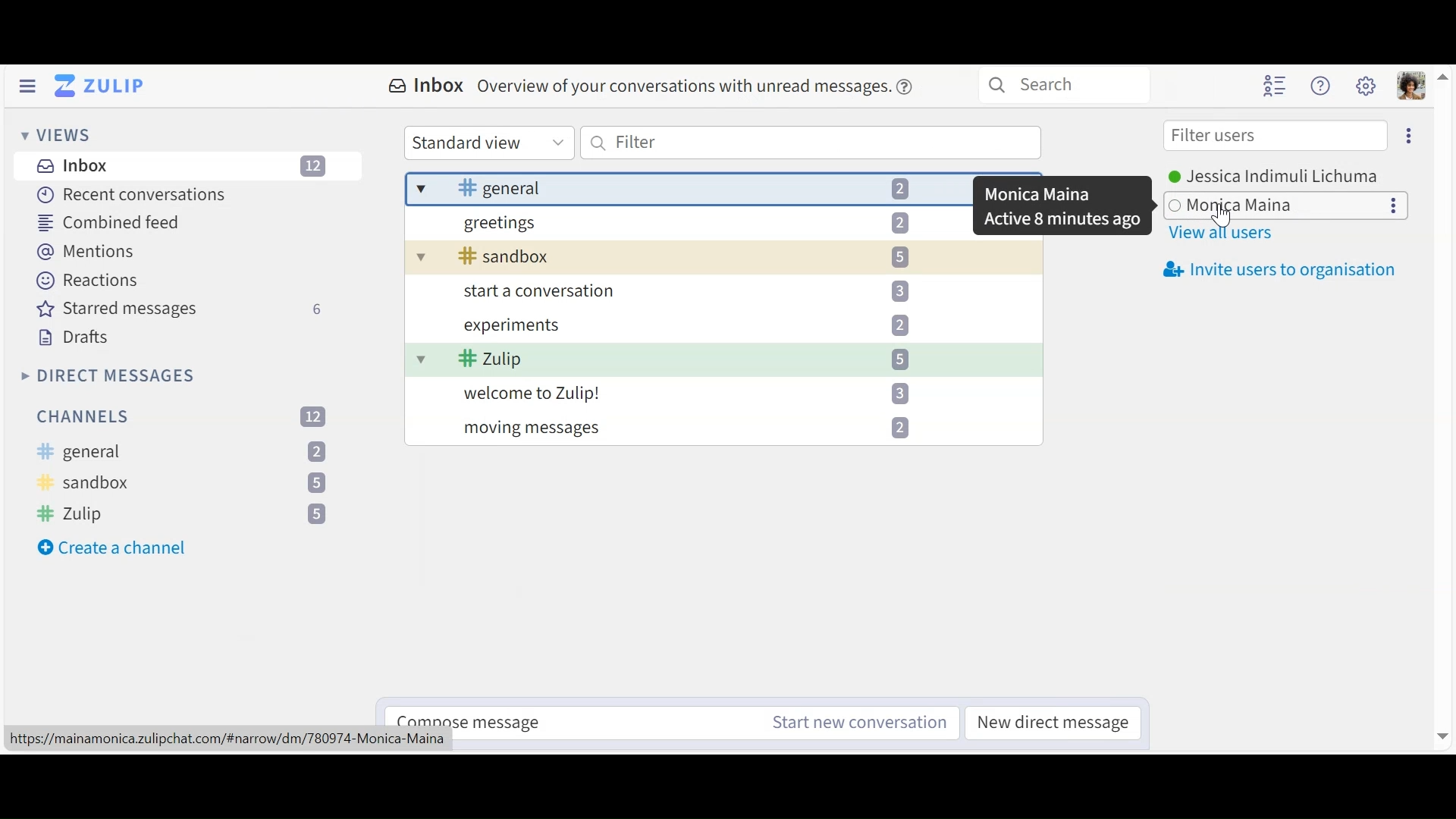 The width and height of the screenshot is (1456, 819). What do you see at coordinates (427, 86) in the screenshot?
I see `Inbox` at bounding box center [427, 86].